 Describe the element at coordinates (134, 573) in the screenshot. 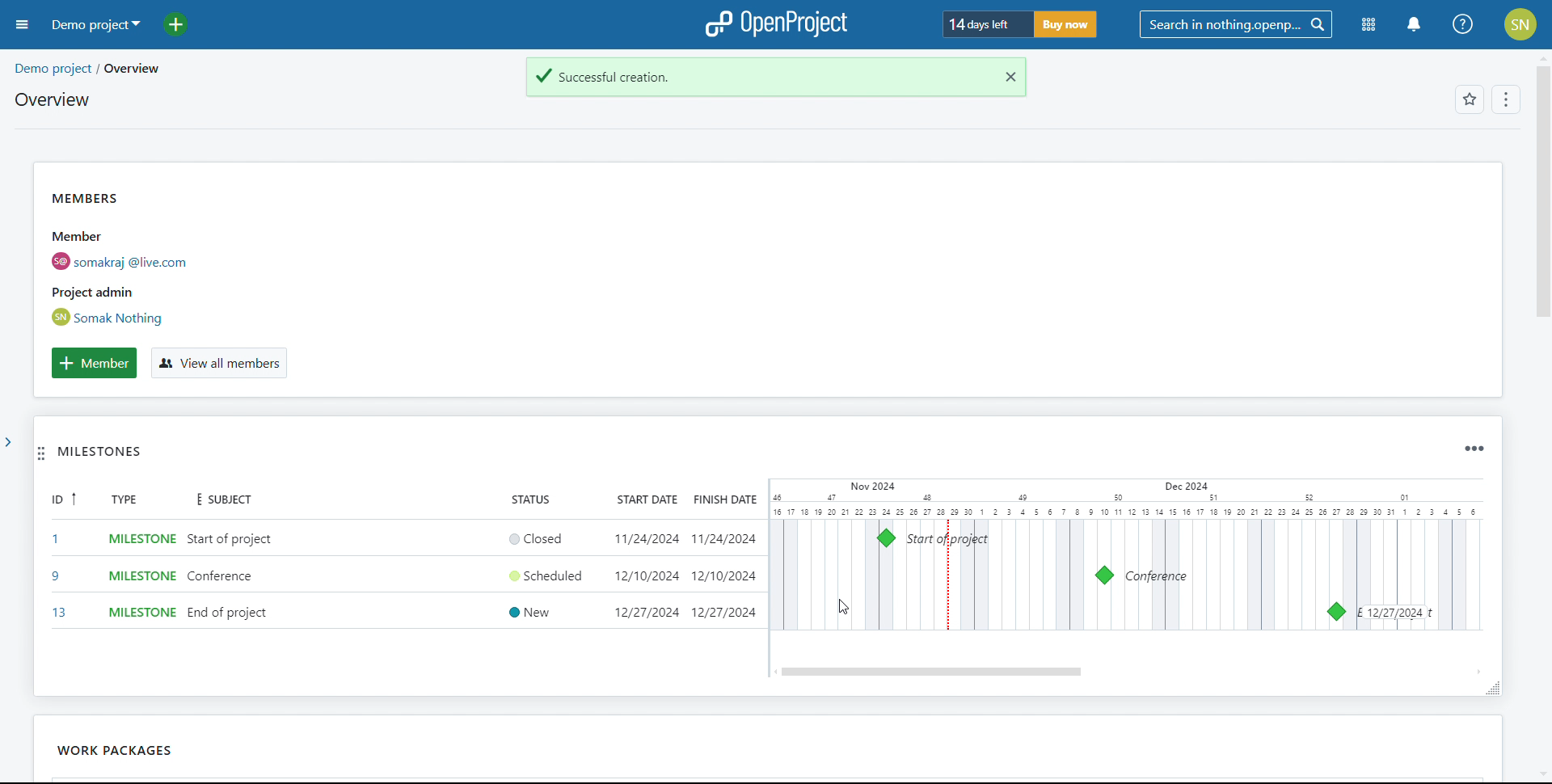

I see `set type` at that location.